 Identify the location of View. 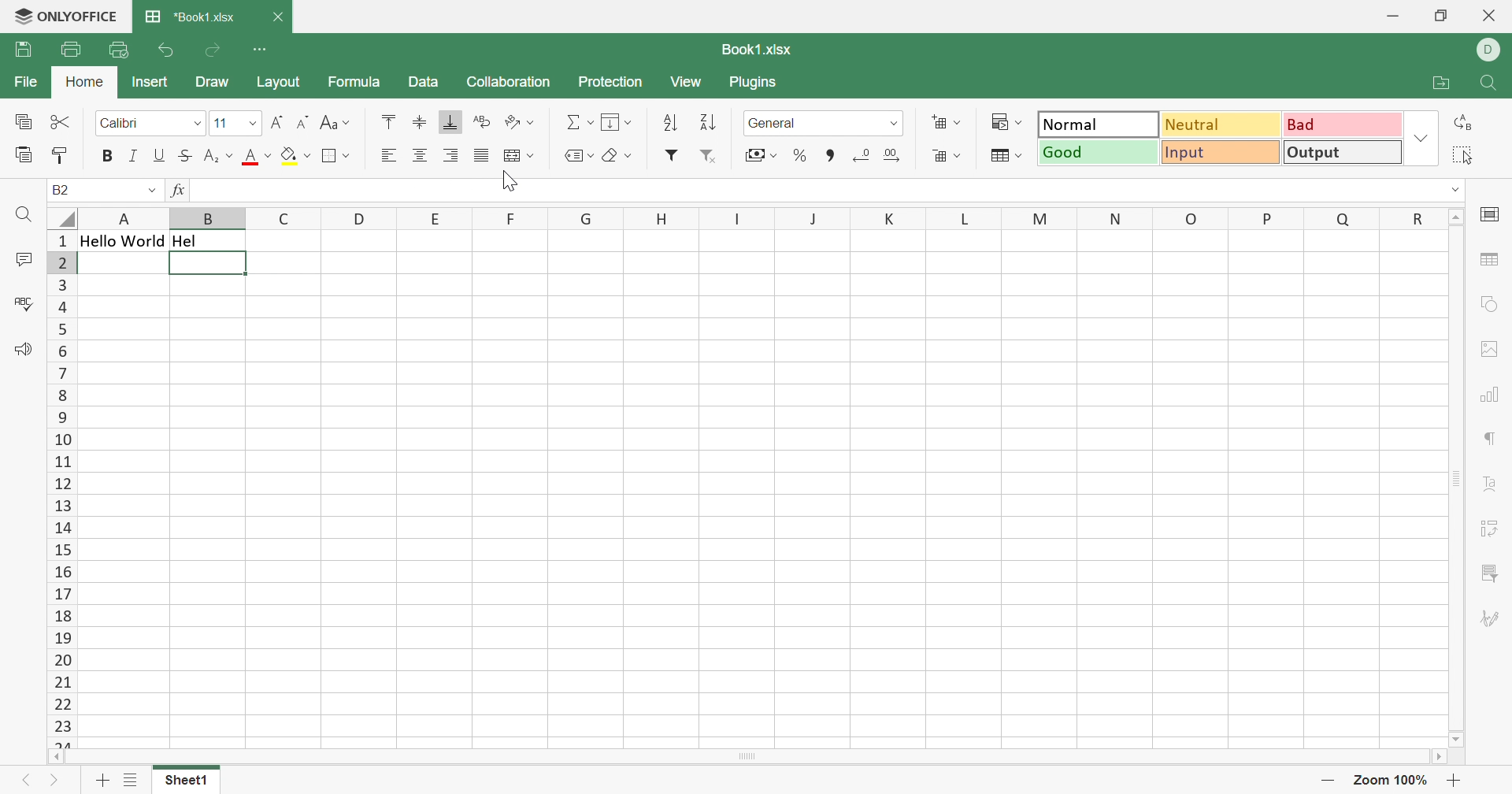
(689, 82).